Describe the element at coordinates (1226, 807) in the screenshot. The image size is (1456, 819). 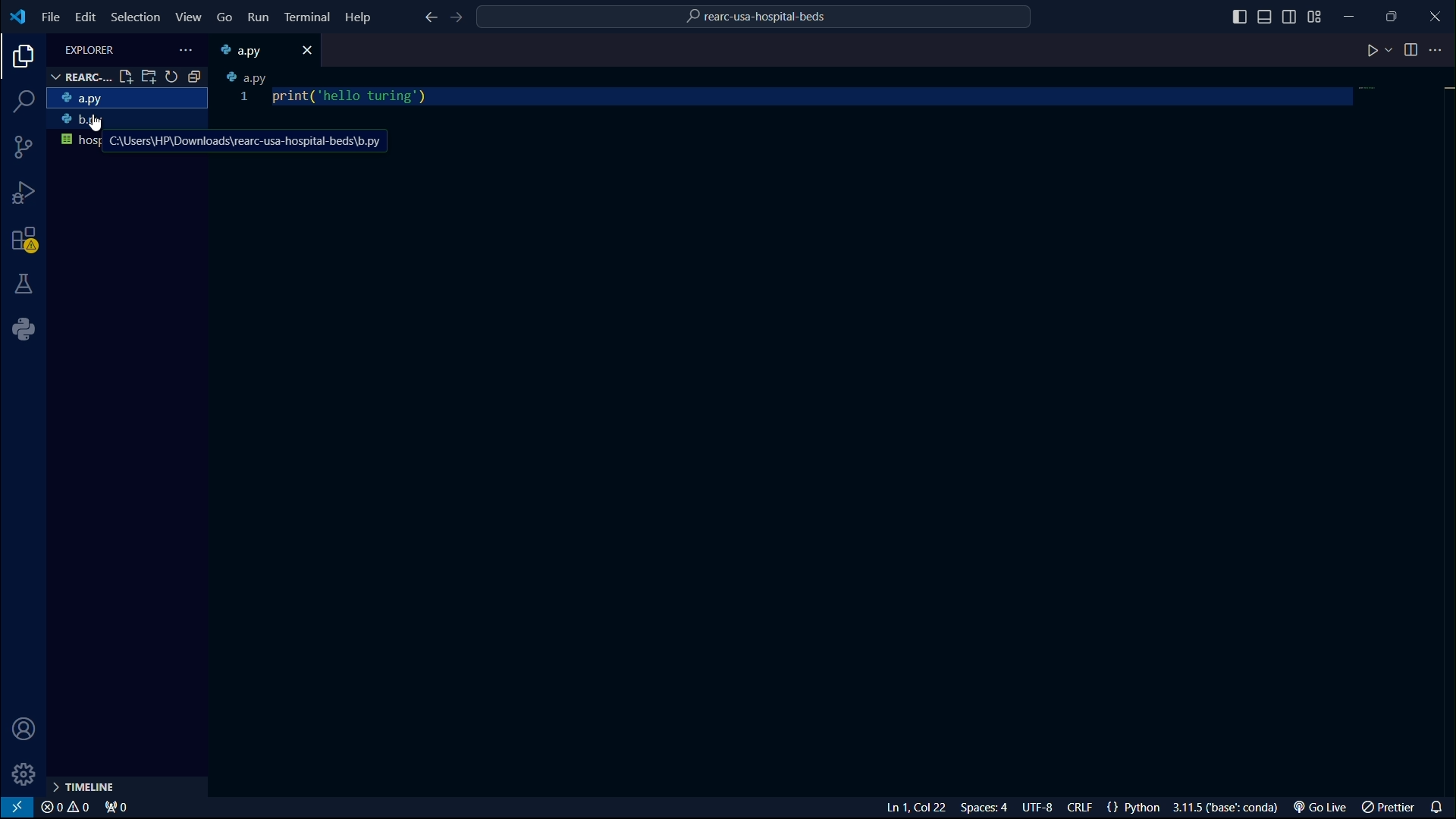
I see `3.11.5('base':conda)` at that location.